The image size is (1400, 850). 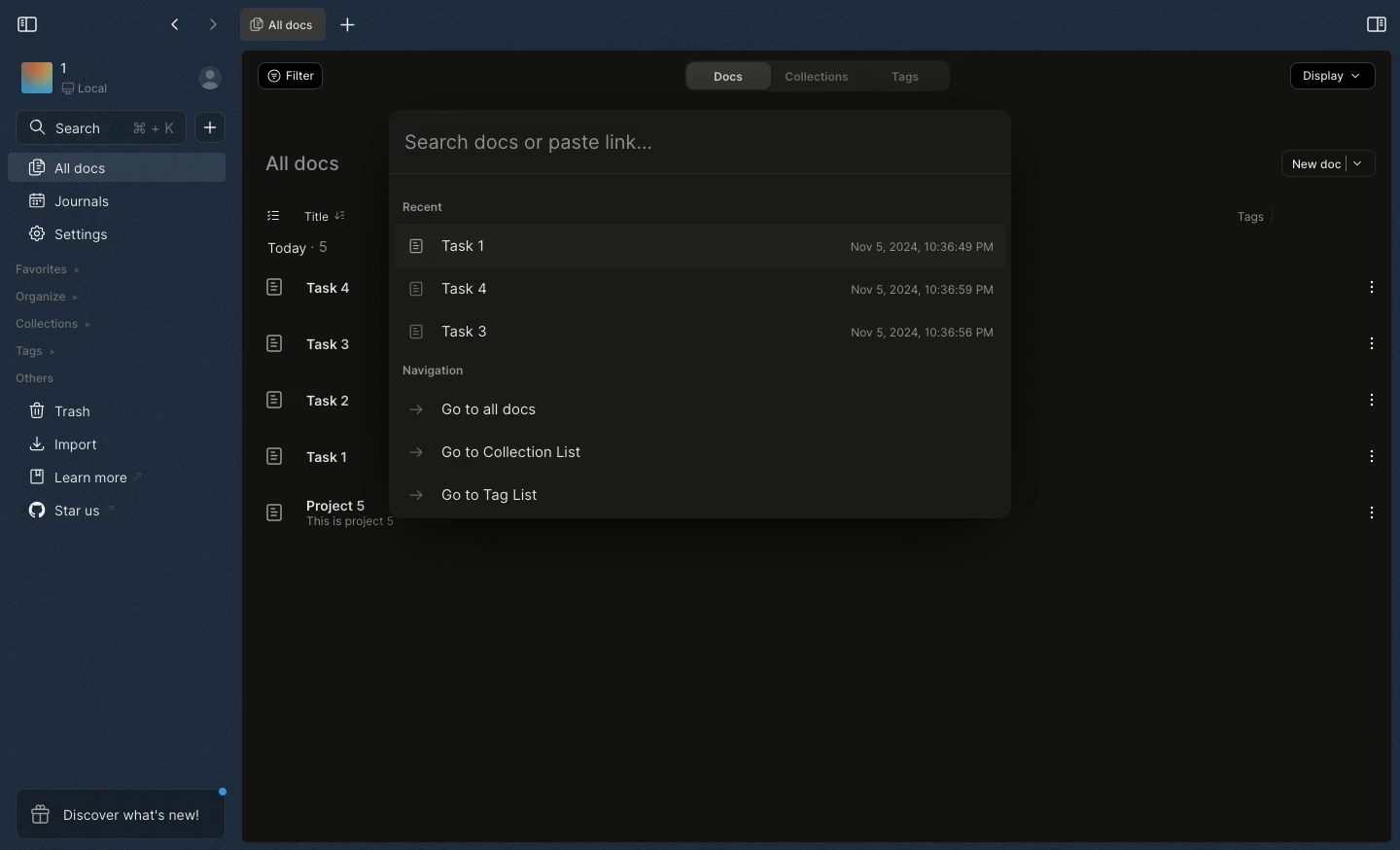 I want to click on Options, so click(x=1371, y=400).